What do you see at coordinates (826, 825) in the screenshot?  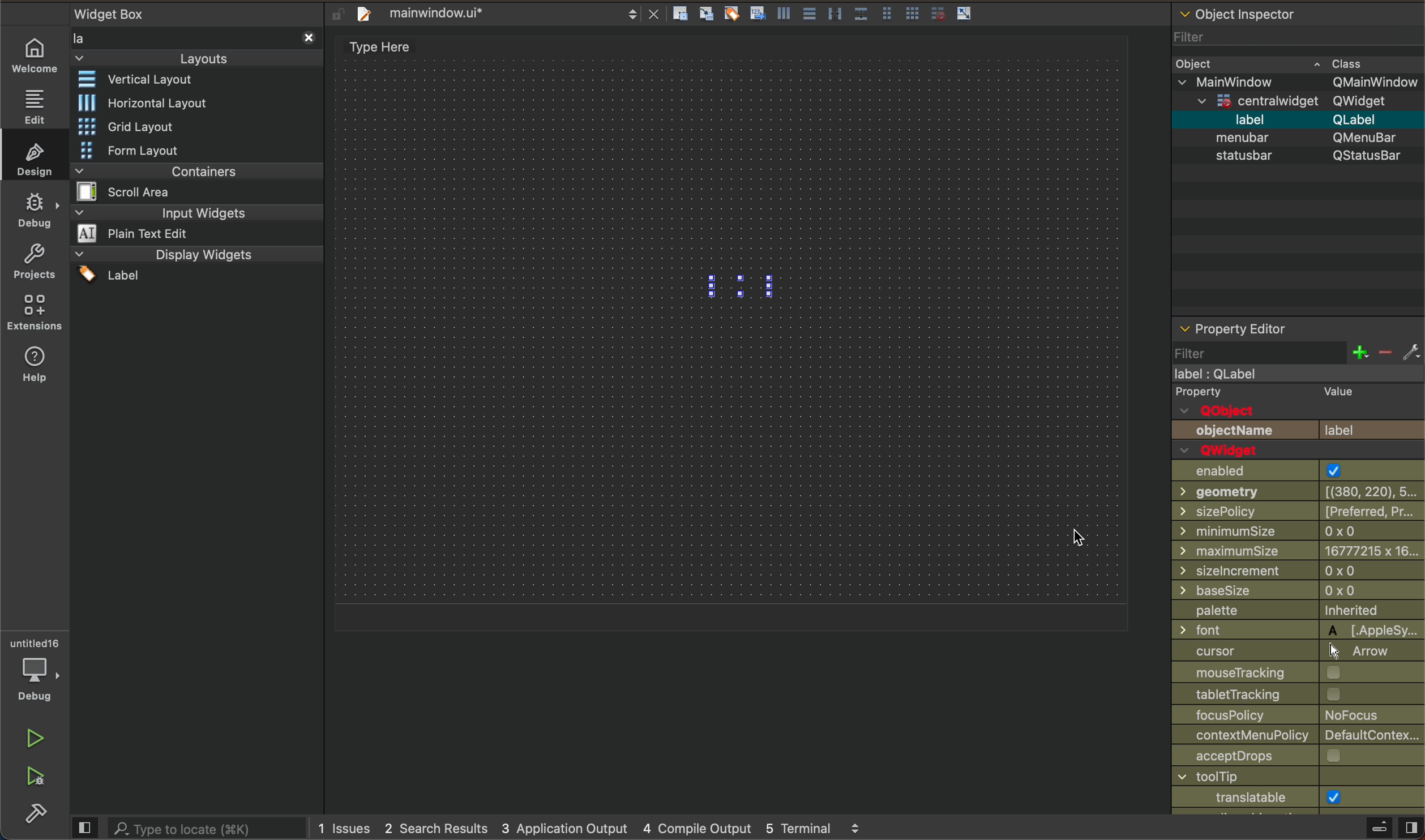 I see `5 terminal` at bounding box center [826, 825].